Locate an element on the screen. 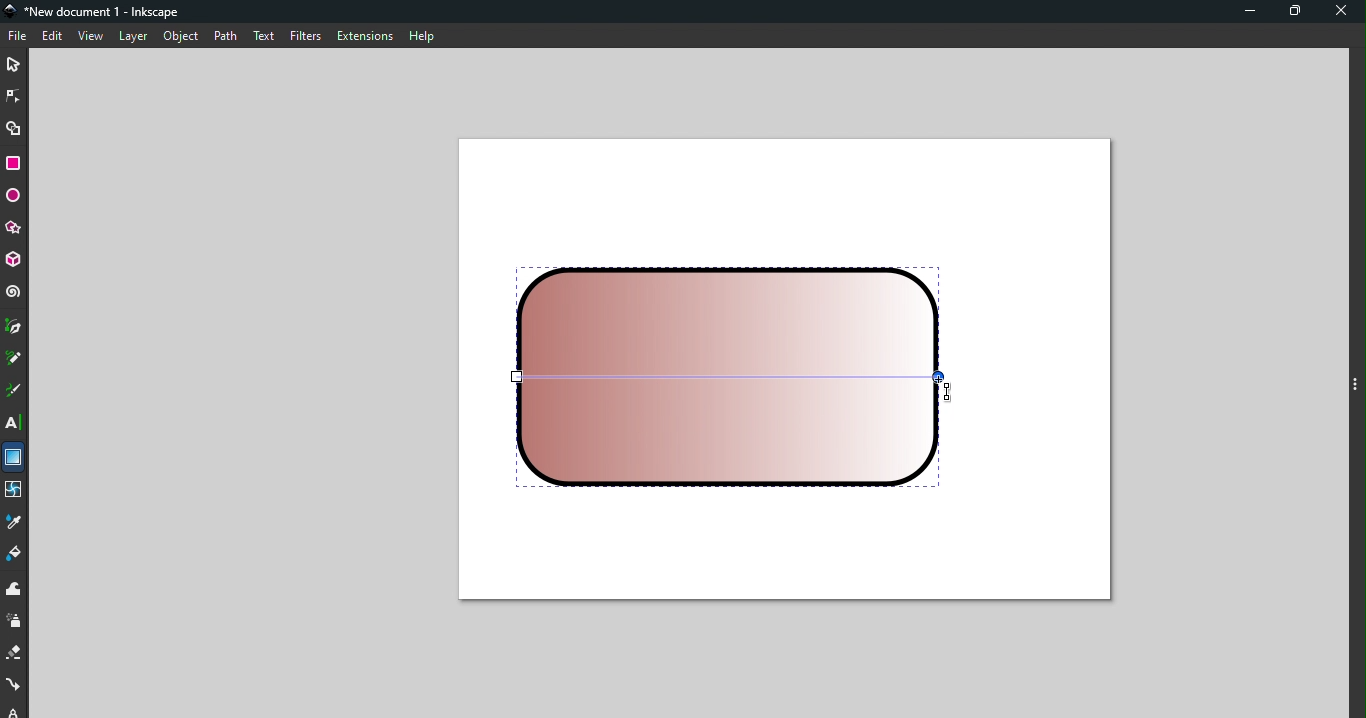 Image resolution: width=1366 pixels, height=718 pixels. ‘New document 1 - Inkscape is located at coordinates (105, 12).